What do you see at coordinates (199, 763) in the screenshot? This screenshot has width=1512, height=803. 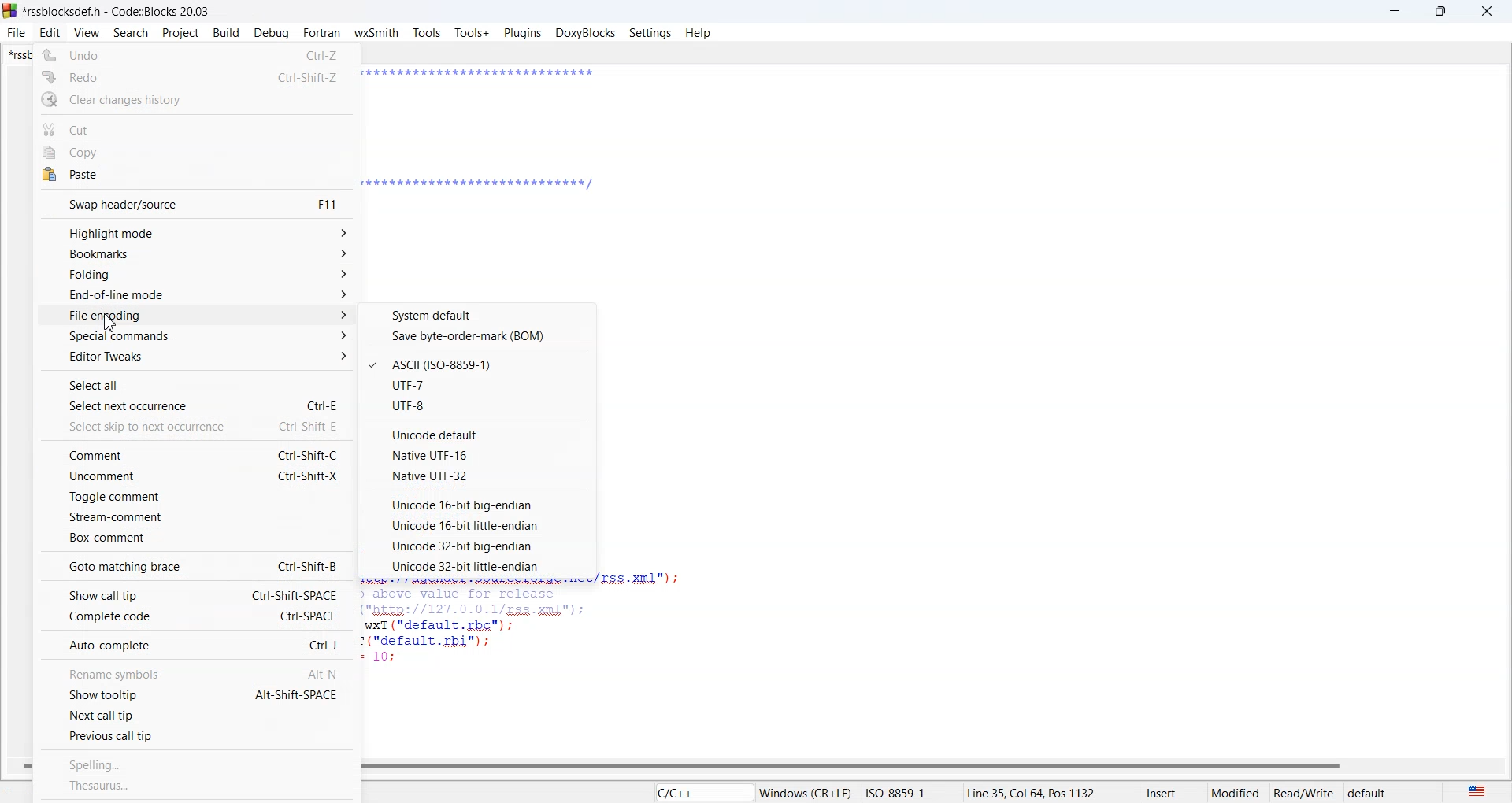 I see `Spelling` at bounding box center [199, 763].